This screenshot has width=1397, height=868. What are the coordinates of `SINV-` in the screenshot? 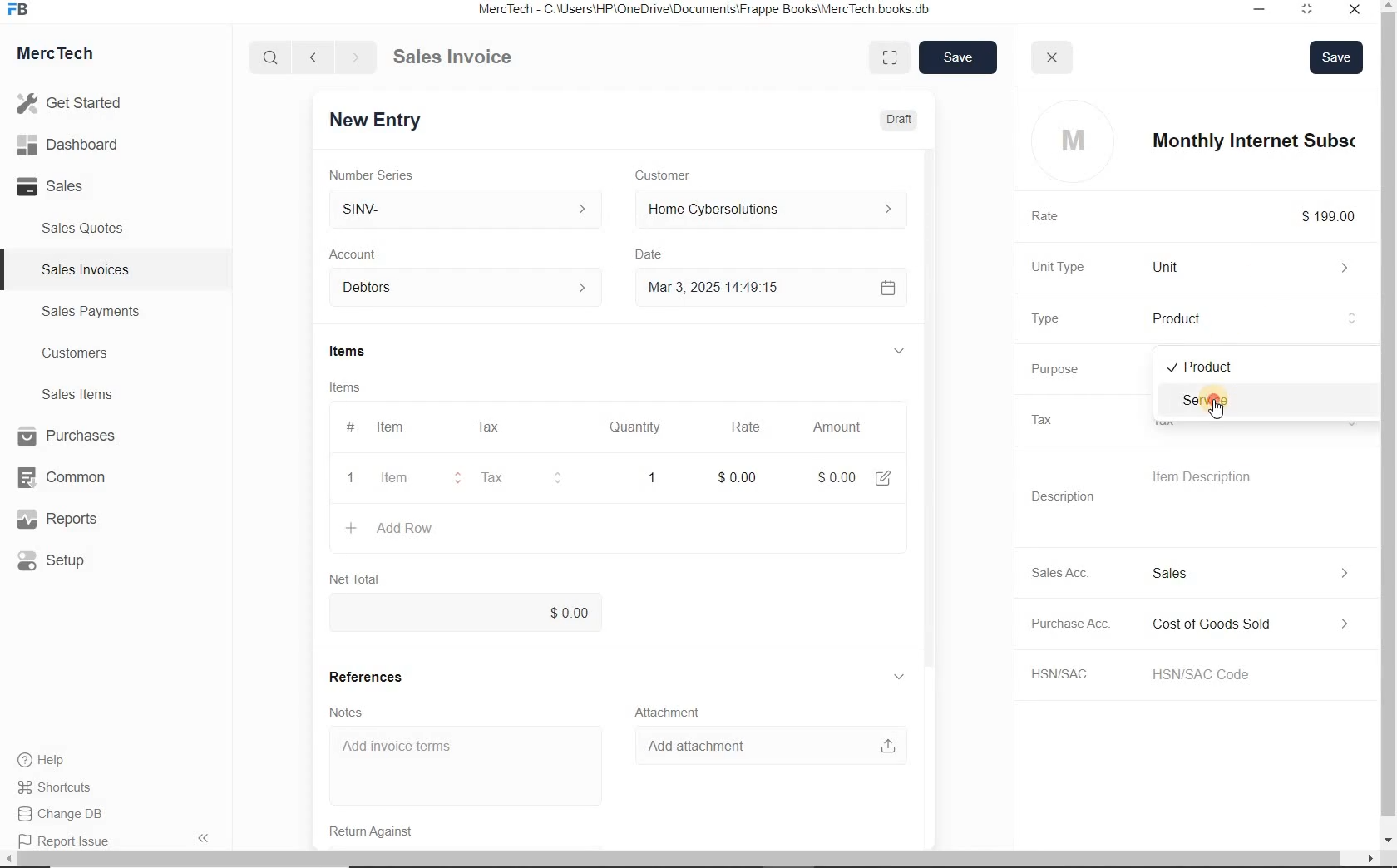 It's located at (474, 209).